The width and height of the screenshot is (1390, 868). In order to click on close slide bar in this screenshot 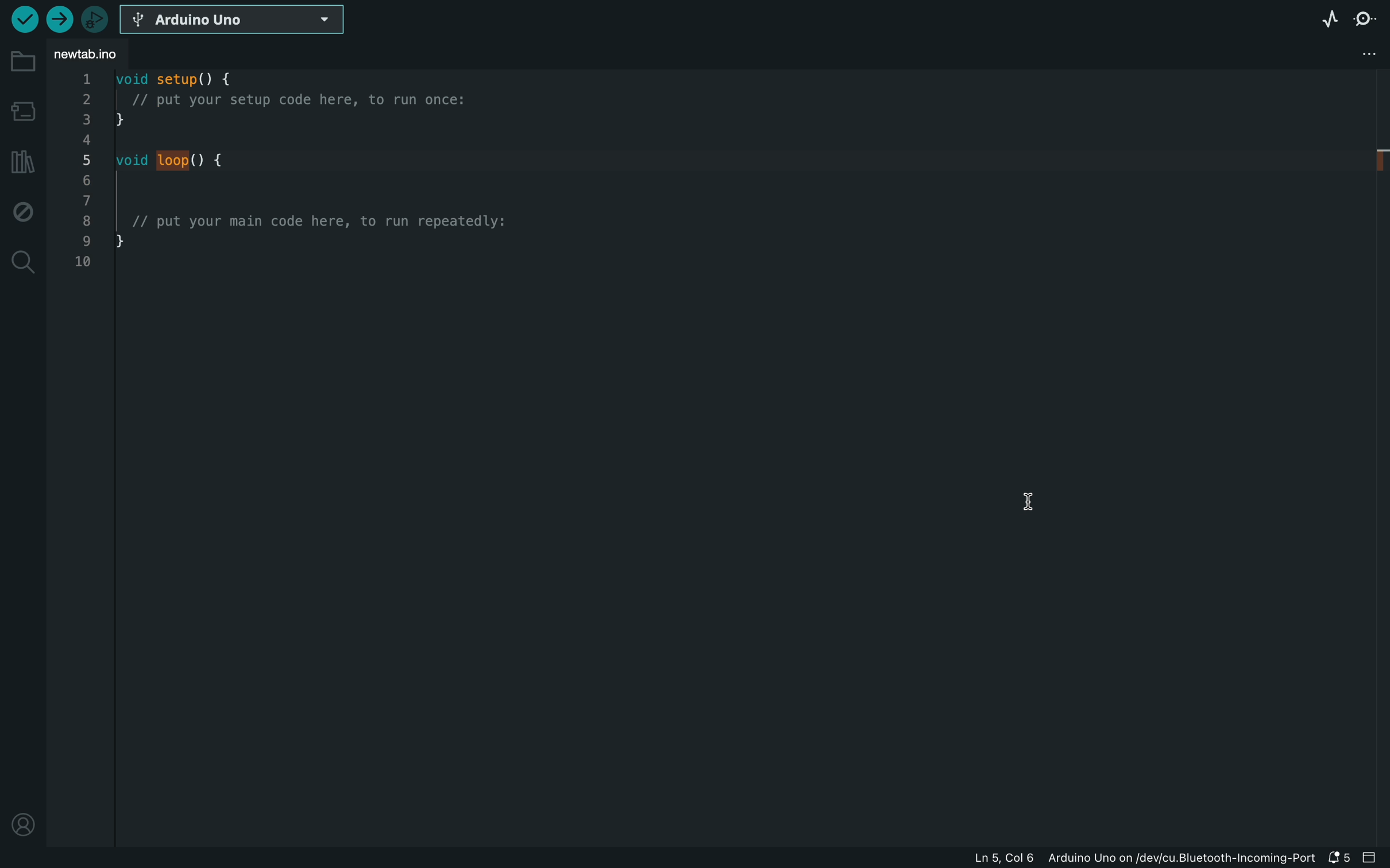, I will do `click(1372, 858)`.